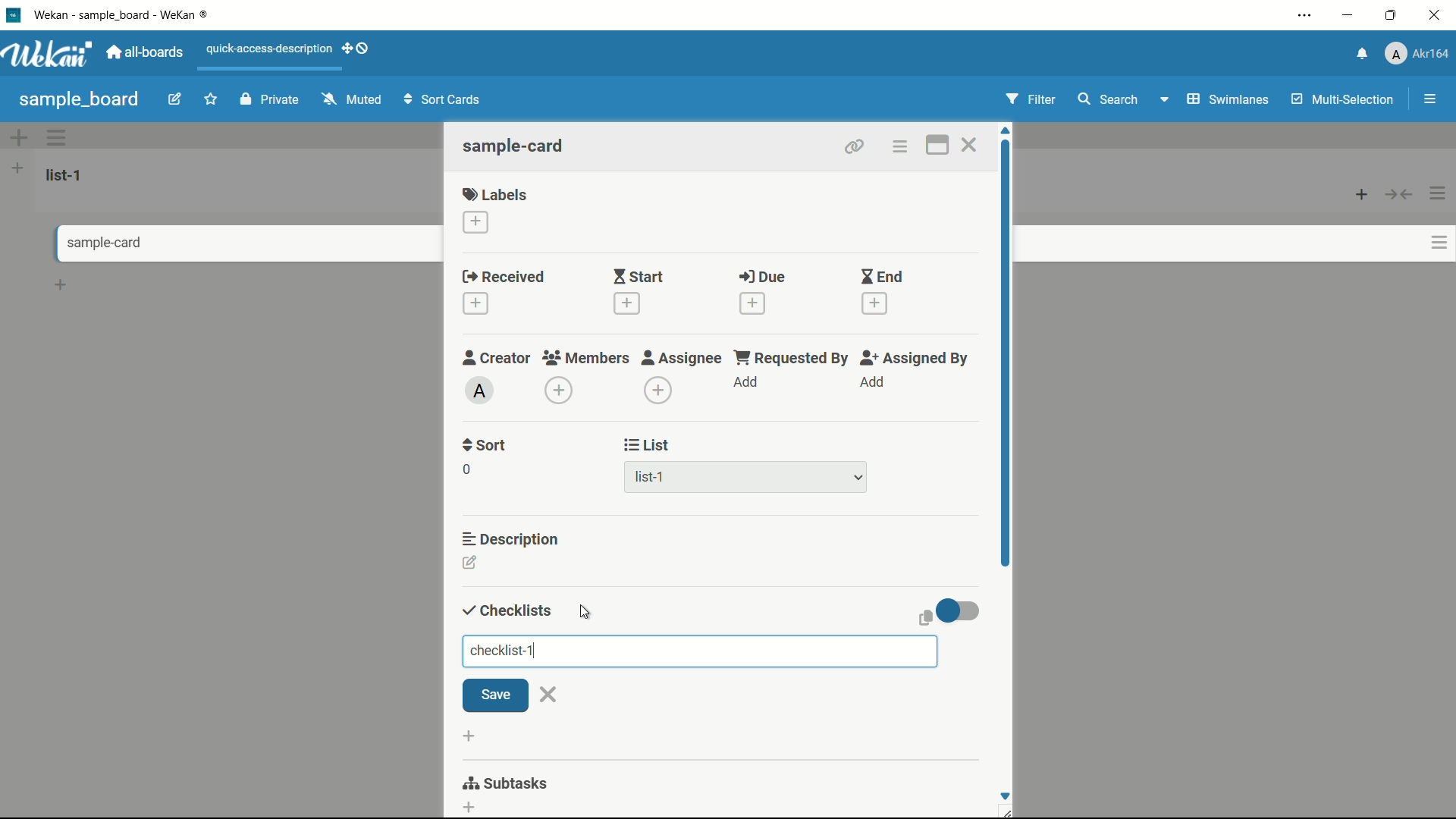 Image resolution: width=1456 pixels, height=819 pixels. What do you see at coordinates (1393, 16) in the screenshot?
I see `maximize` at bounding box center [1393, 16].